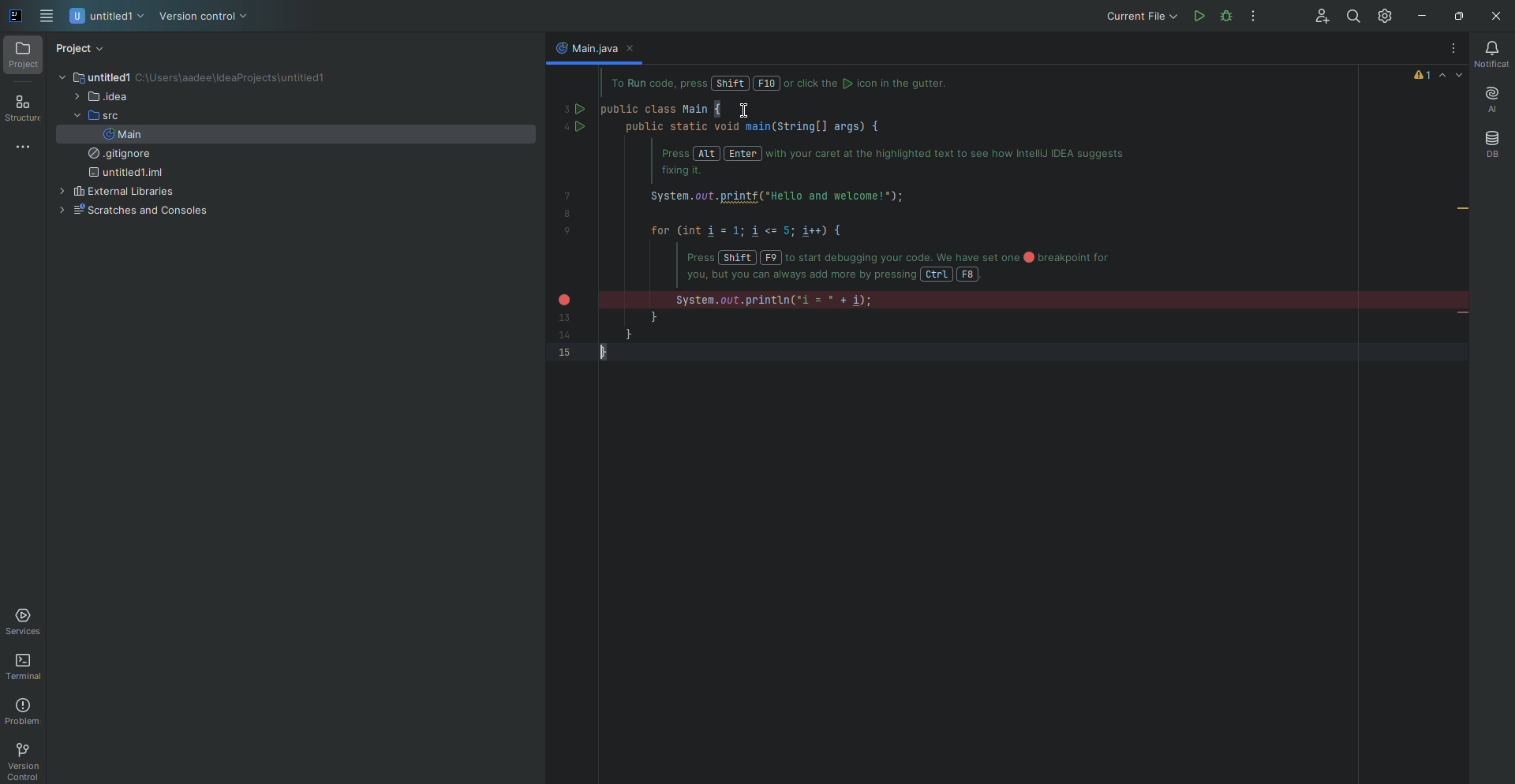  What do you see at coordinates (114, 192) in the screenshot?
I see `External Libraries` at bounding box center [114, 192].